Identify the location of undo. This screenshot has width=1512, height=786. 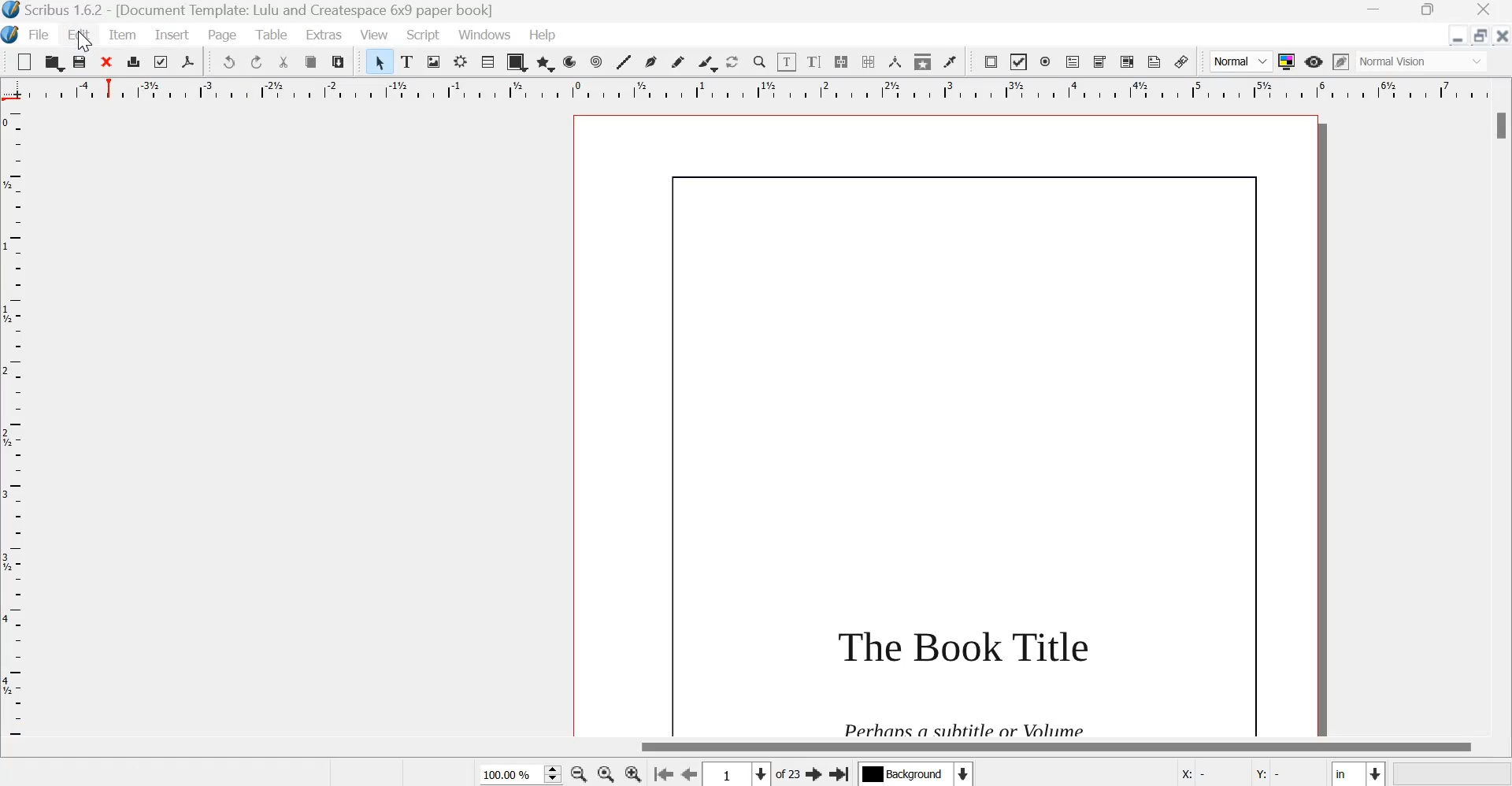
(229, 61).